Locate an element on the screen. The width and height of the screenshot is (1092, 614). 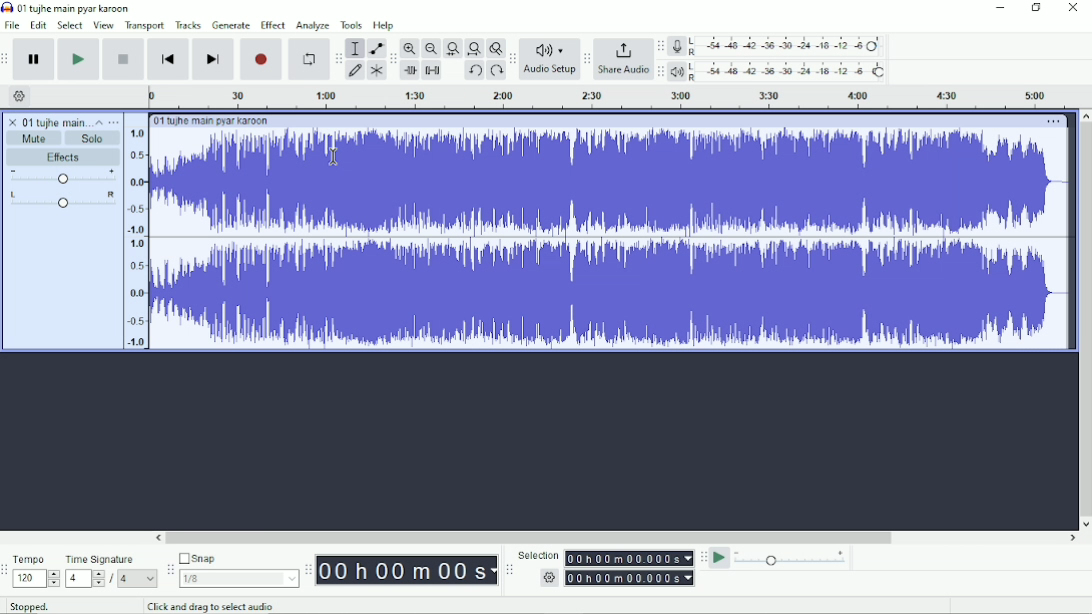
Time signature is located at coordinates (112, 569).